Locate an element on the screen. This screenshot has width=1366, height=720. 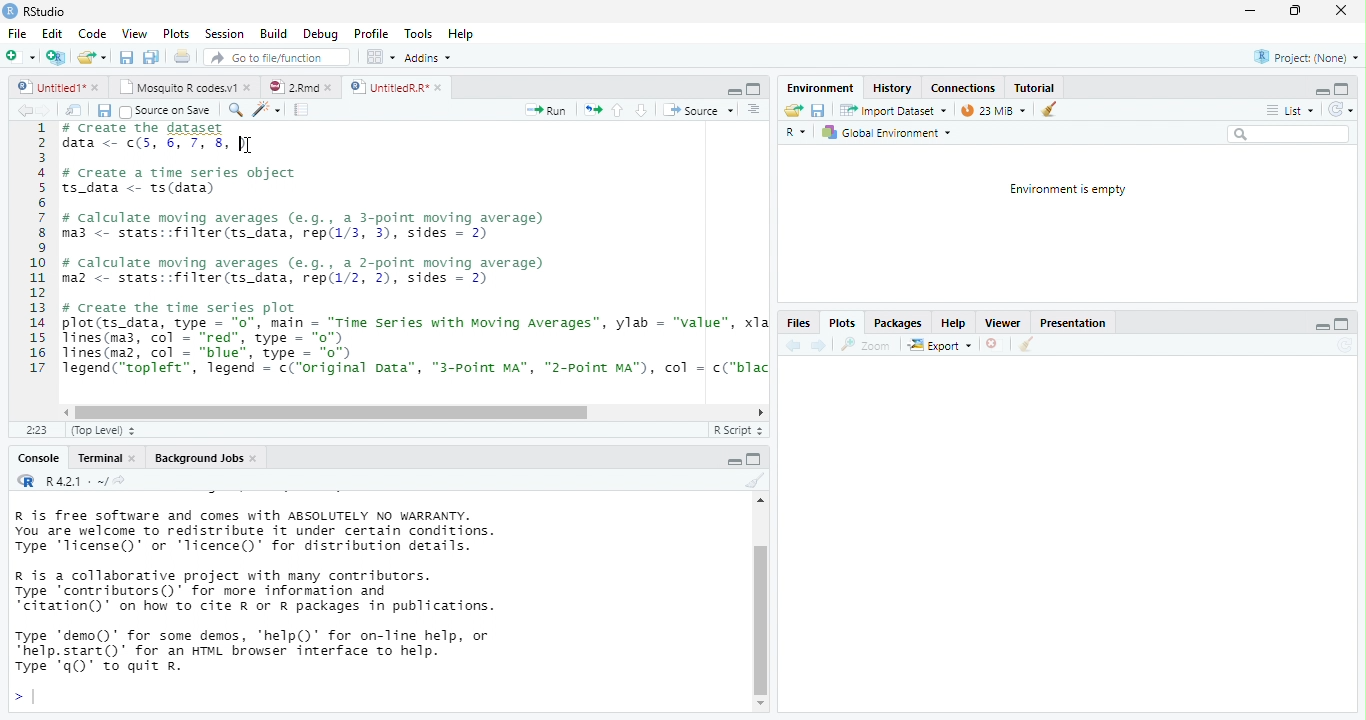
Viewer is located at coordinates (1002, 323).